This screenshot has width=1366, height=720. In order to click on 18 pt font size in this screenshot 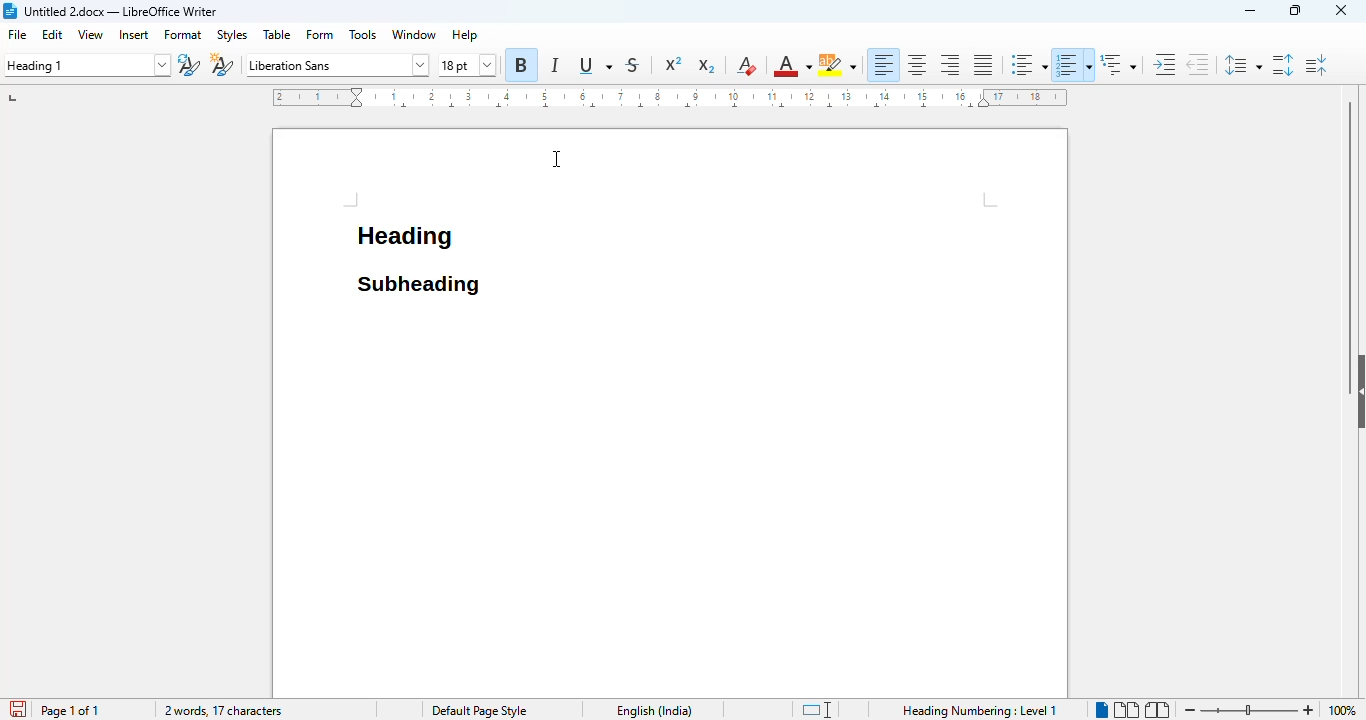, I will do `click(468, 66)`.